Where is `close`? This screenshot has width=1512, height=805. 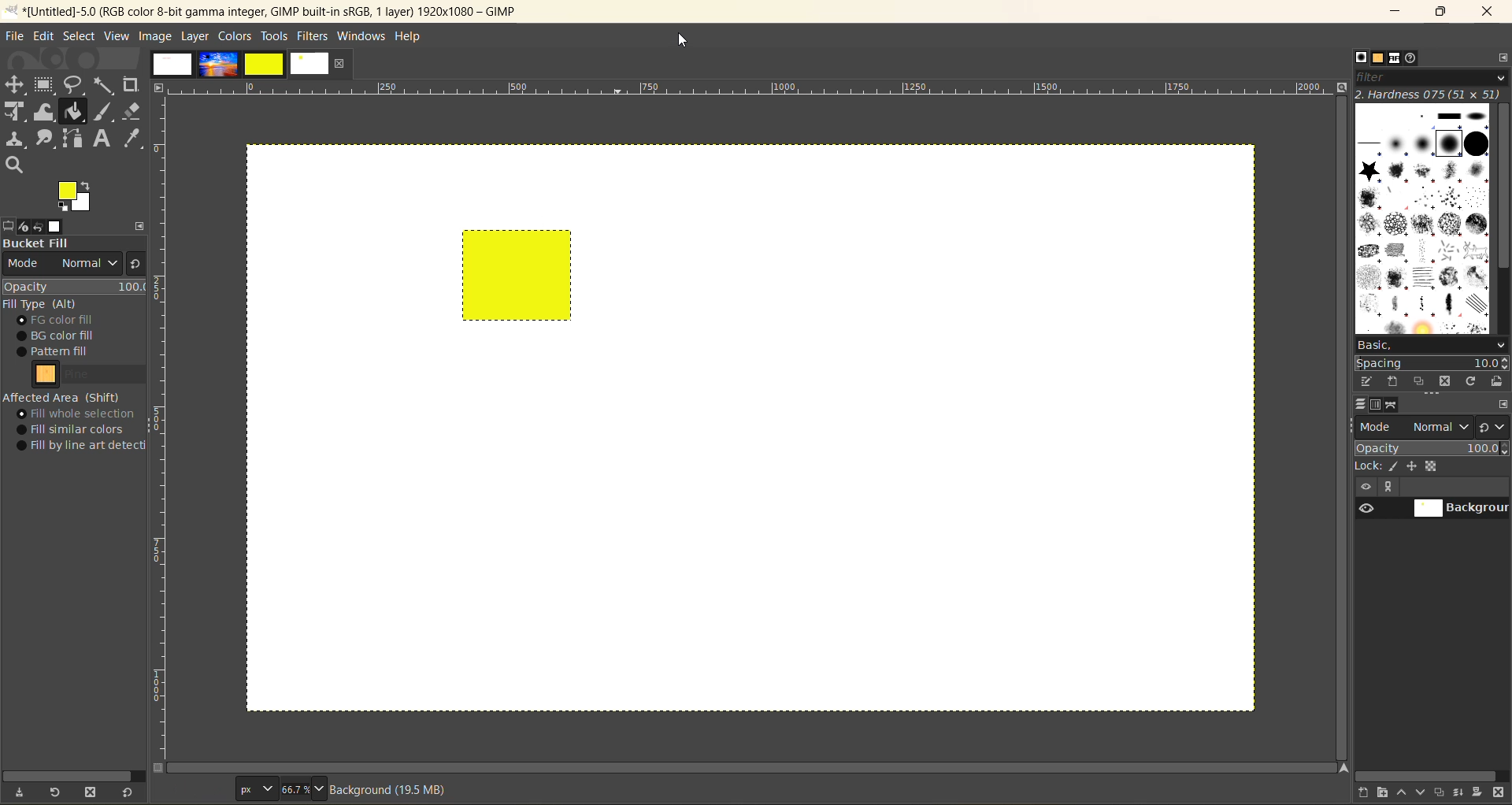
close is located at coordinates (1491, 11).